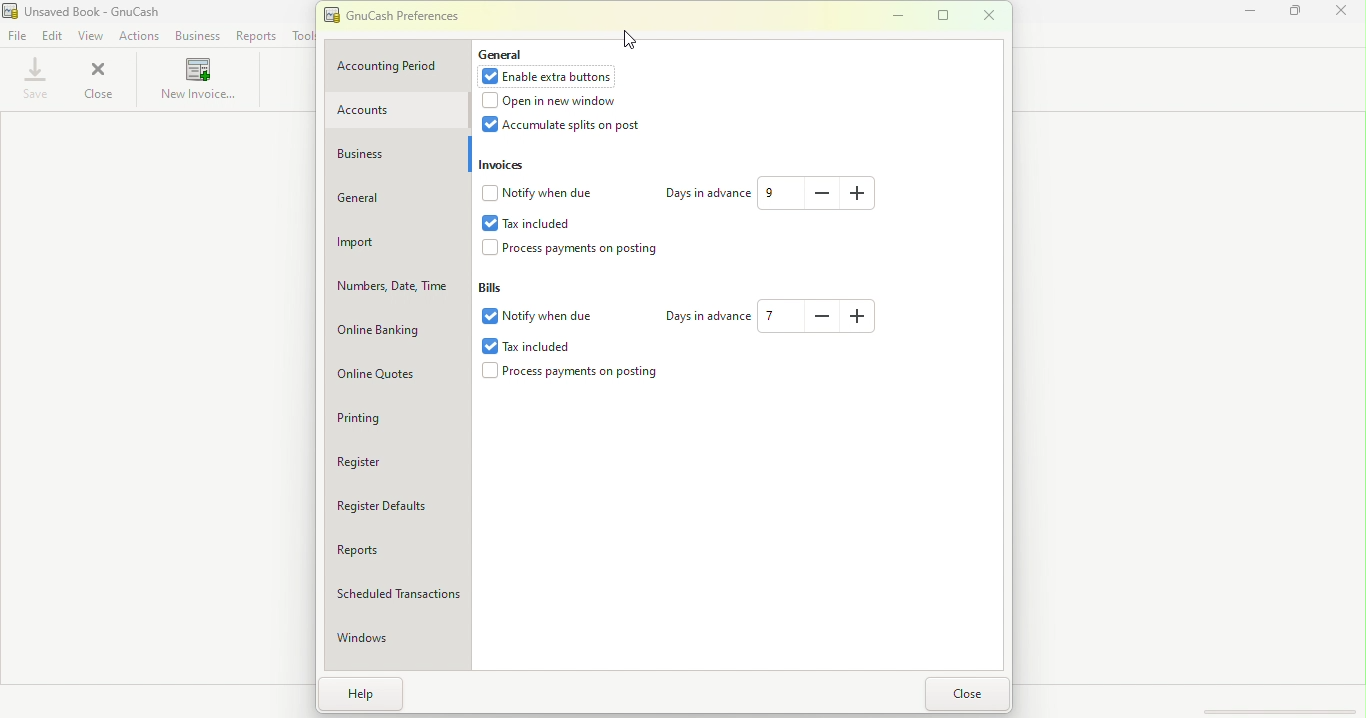 The image size is (1366, 718). What do you see at coordinates (709, 316) in the screenshot?
I see `Days in advance` at bounding box center [709, 316].